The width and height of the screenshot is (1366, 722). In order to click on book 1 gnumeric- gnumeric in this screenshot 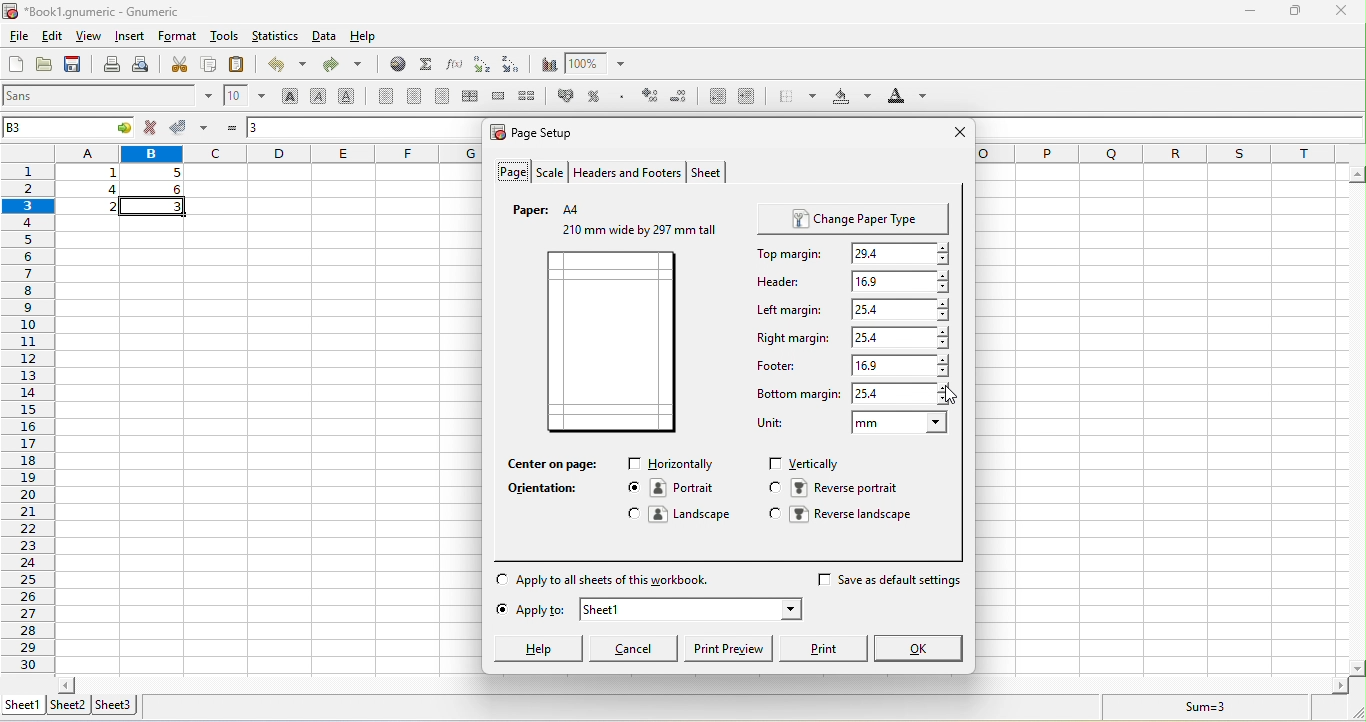, I will do `click(102, 10)`.